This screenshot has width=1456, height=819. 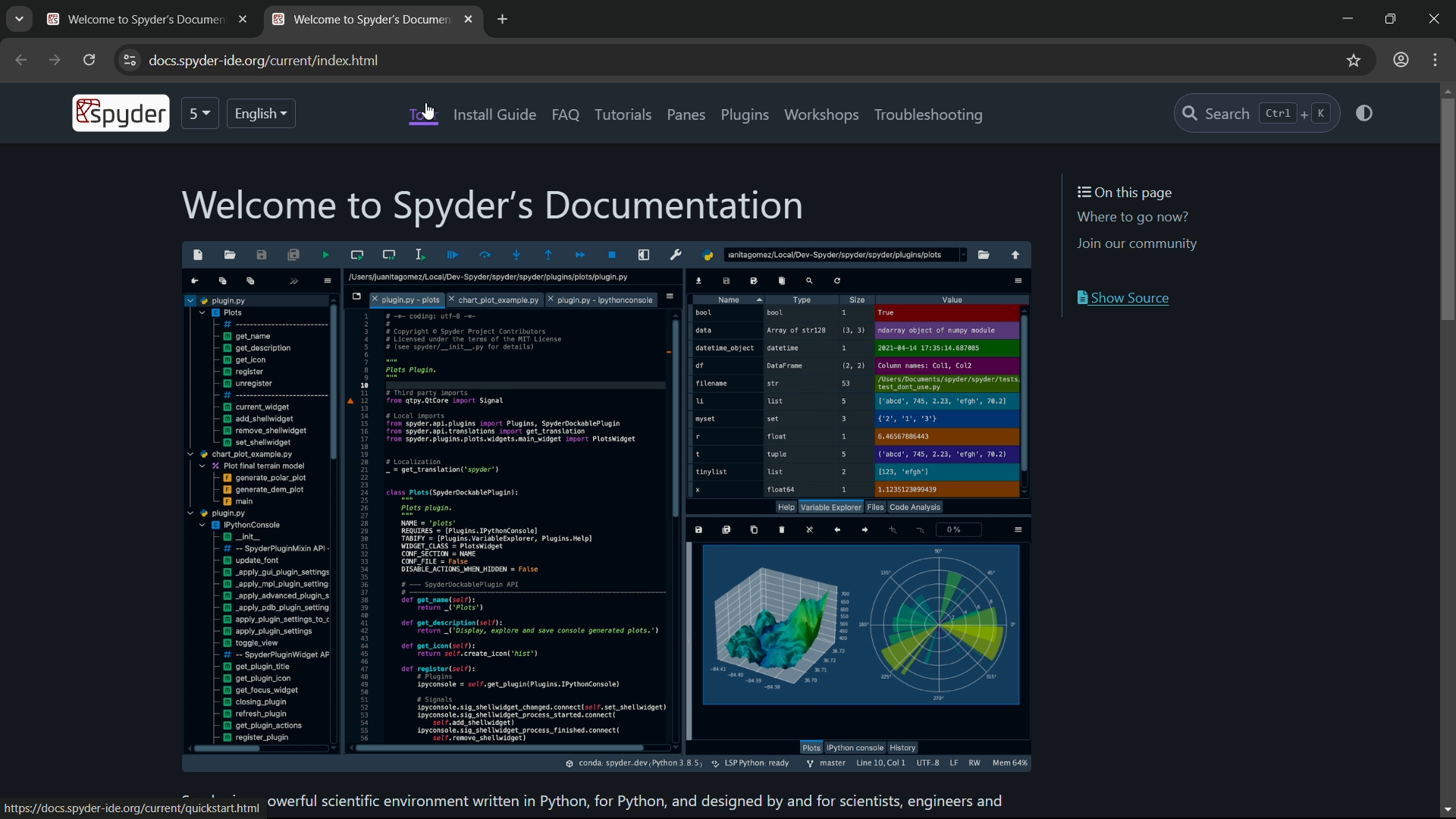 I want to click on Scroll up, so click(x=1447, y=88).